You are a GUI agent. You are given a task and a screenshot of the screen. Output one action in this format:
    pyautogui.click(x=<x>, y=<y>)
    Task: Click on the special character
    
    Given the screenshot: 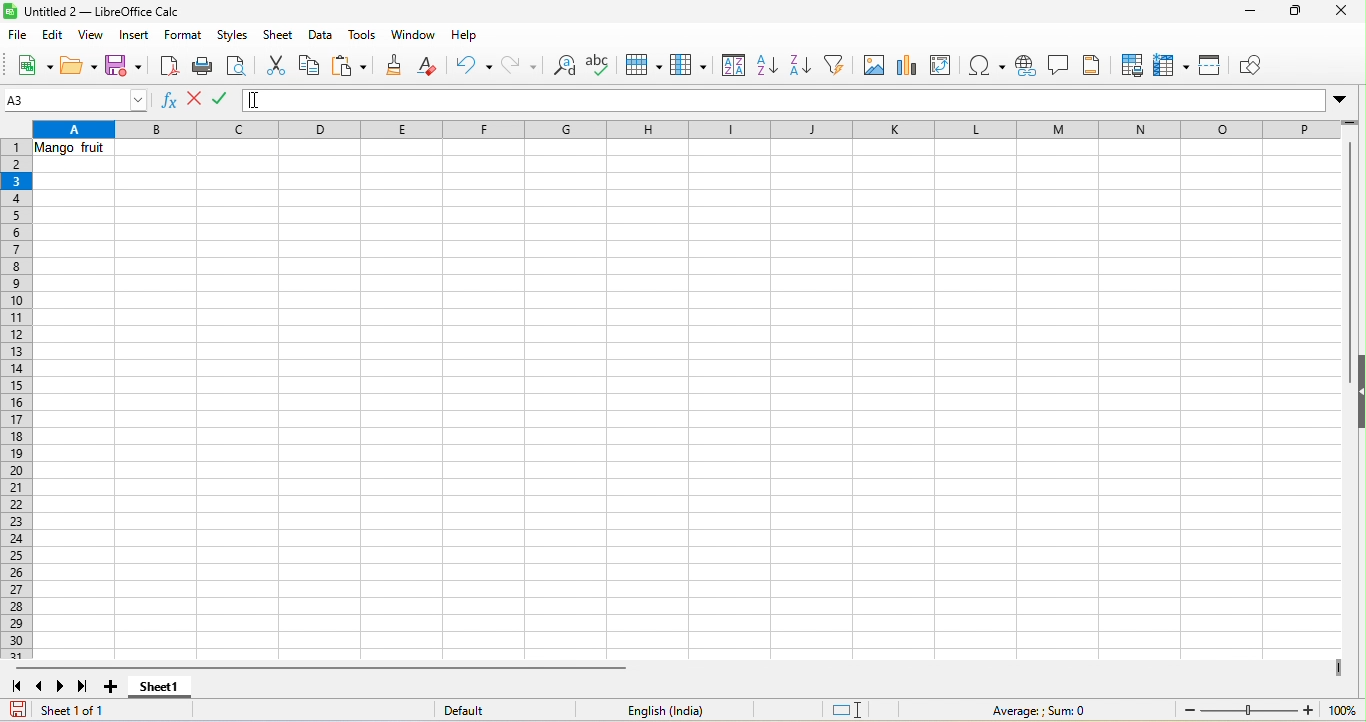 What is the action you would take?
    pyautogui.click(x=990, y=66)
    